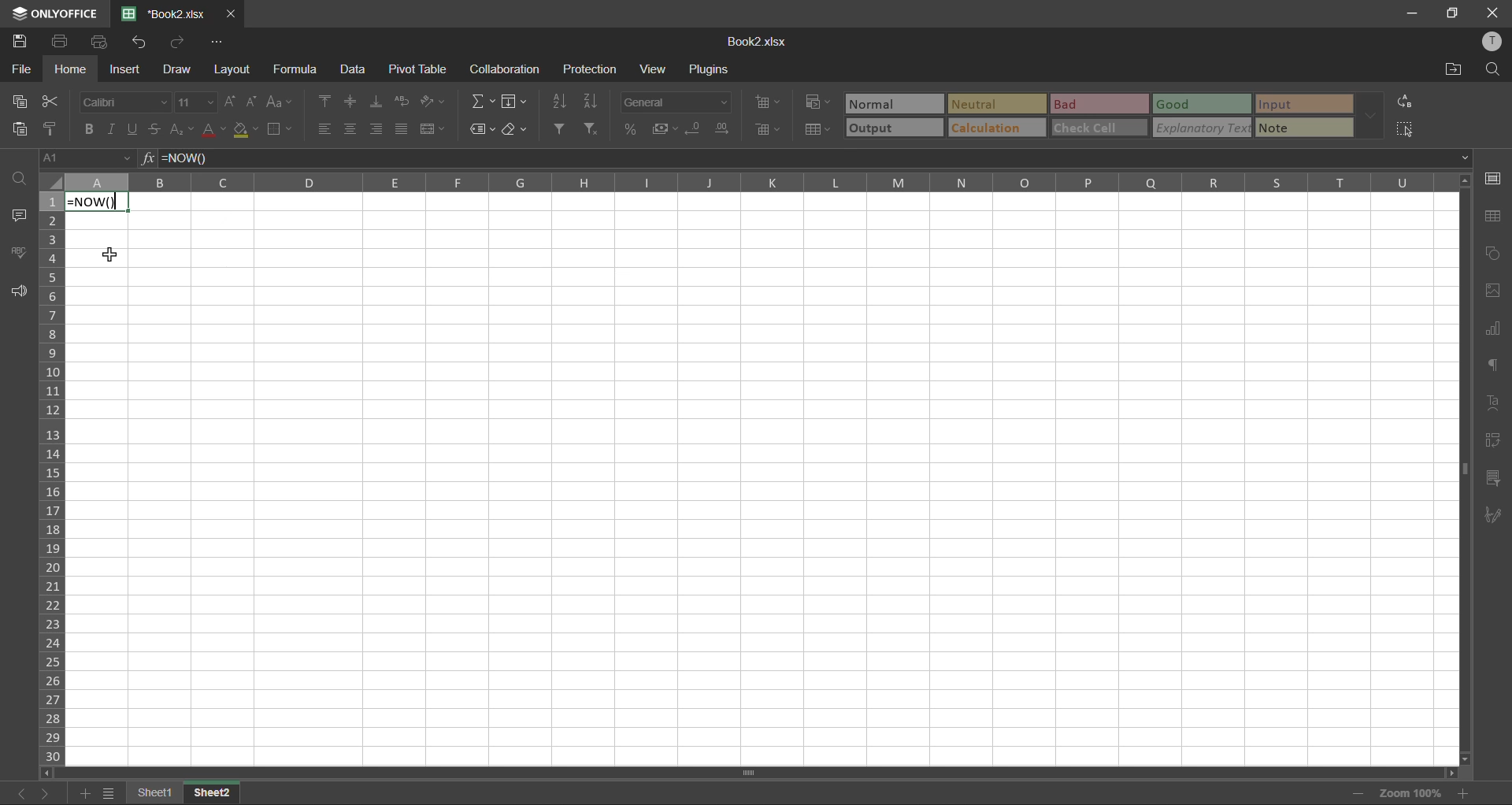  What do you see at coordinates (282, 131) in the screenshot?
I see `borders` at bounding box center [282, 131].